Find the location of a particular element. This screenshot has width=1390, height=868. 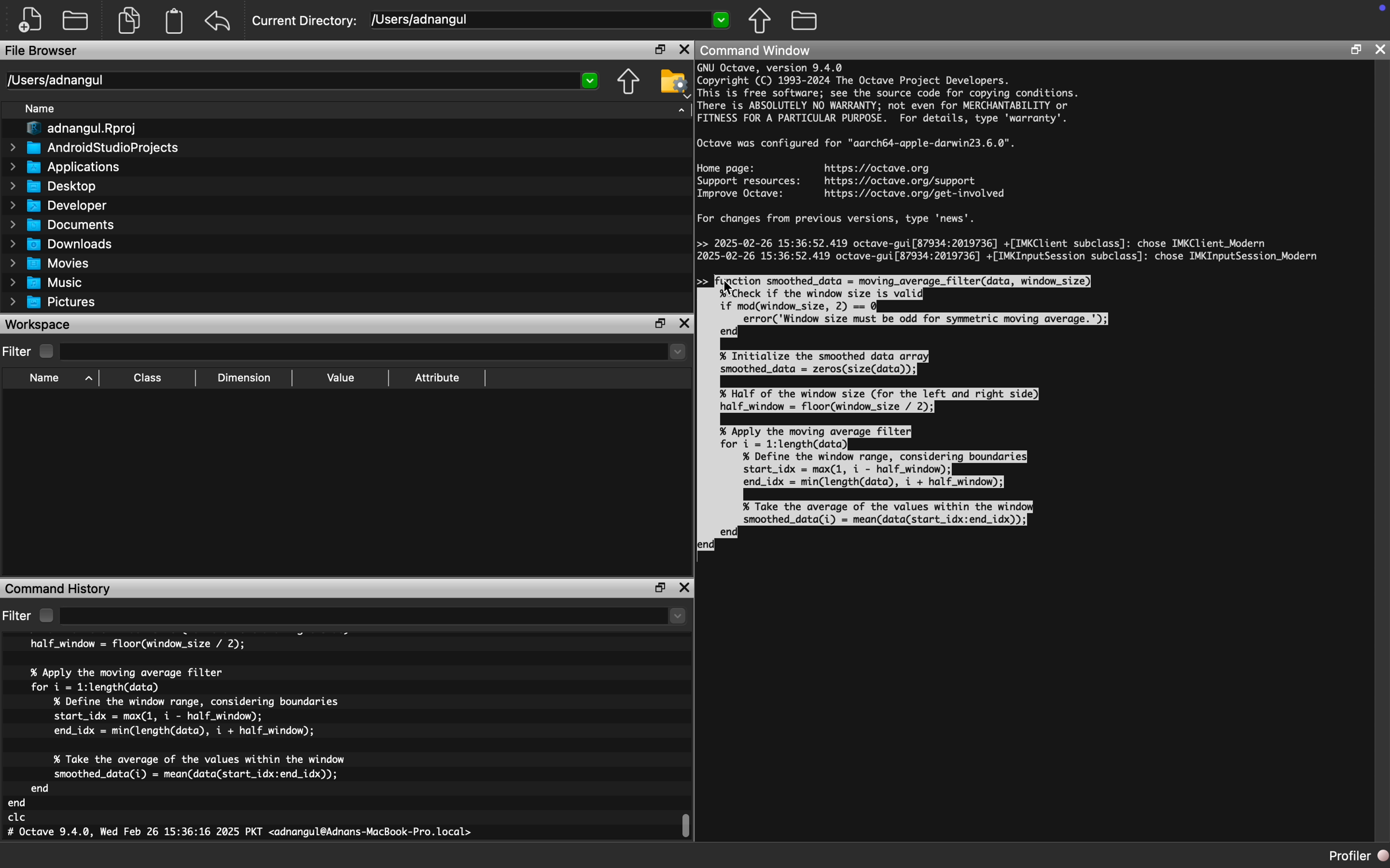

Value is located at coordinates (339, 378).